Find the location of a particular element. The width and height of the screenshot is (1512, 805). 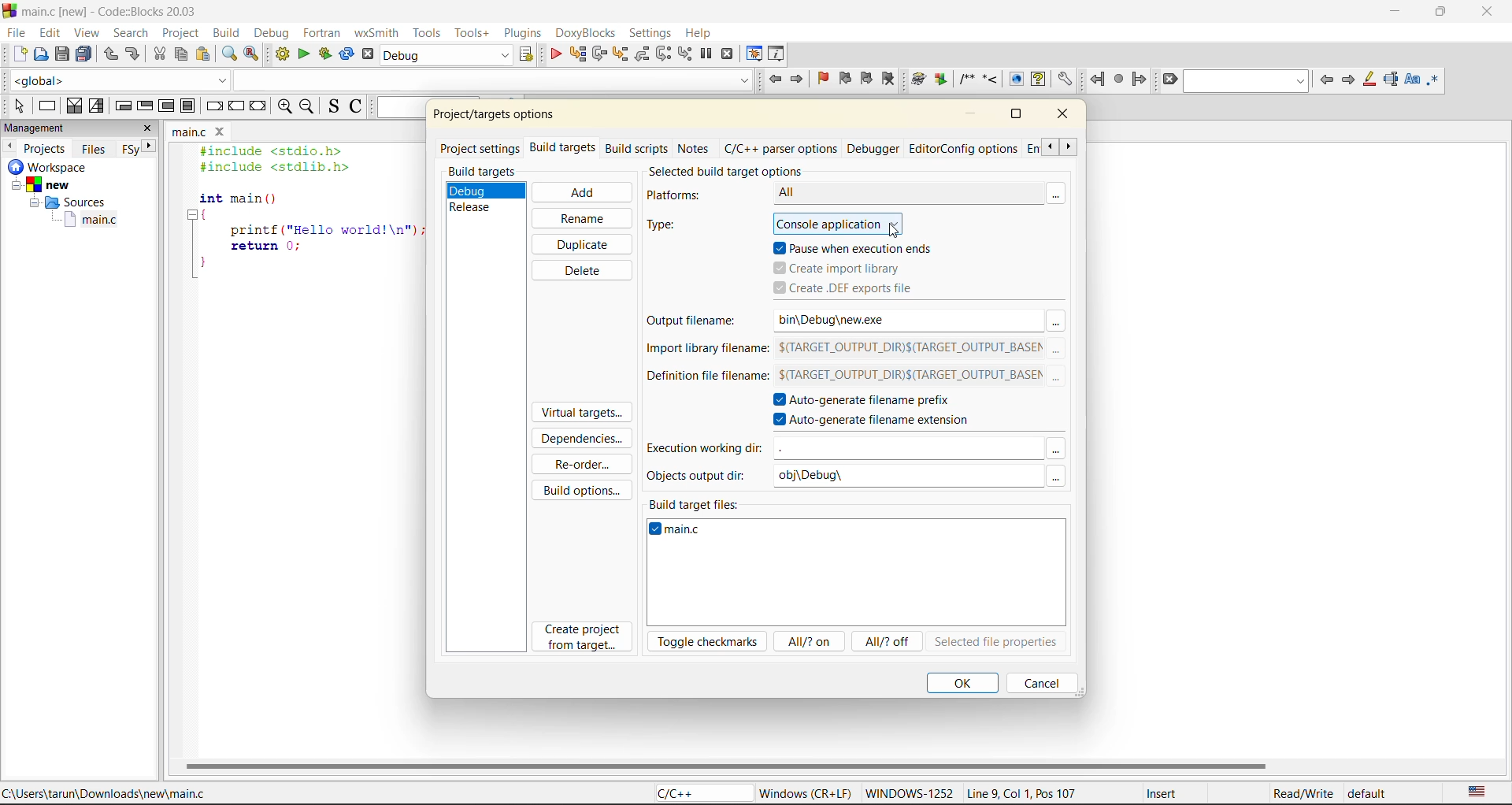

decision is located at coordinates (75, 106).